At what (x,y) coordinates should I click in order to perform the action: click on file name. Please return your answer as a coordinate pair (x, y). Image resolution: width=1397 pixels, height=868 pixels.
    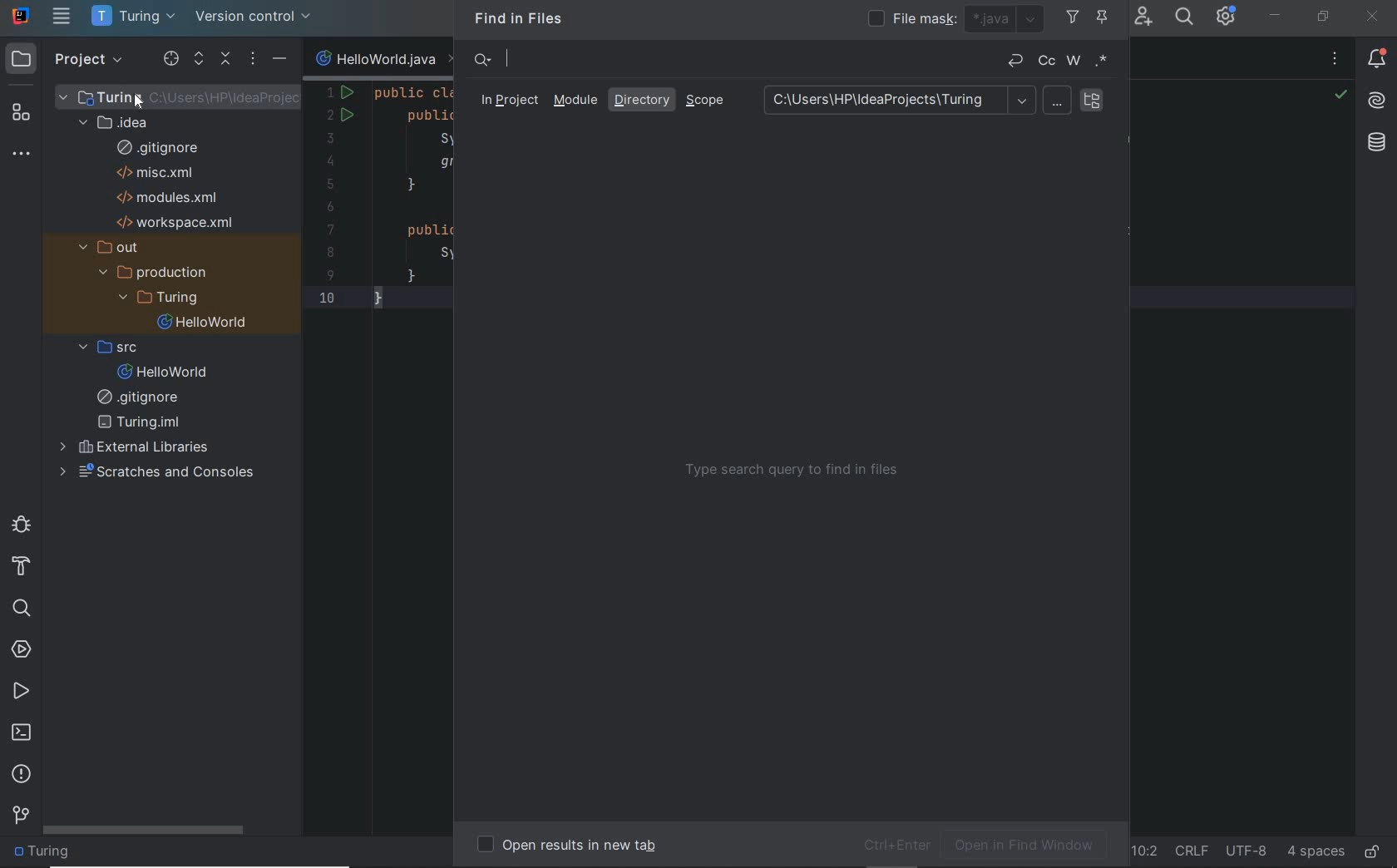
    Looking at the image, I should click on (168, 372).